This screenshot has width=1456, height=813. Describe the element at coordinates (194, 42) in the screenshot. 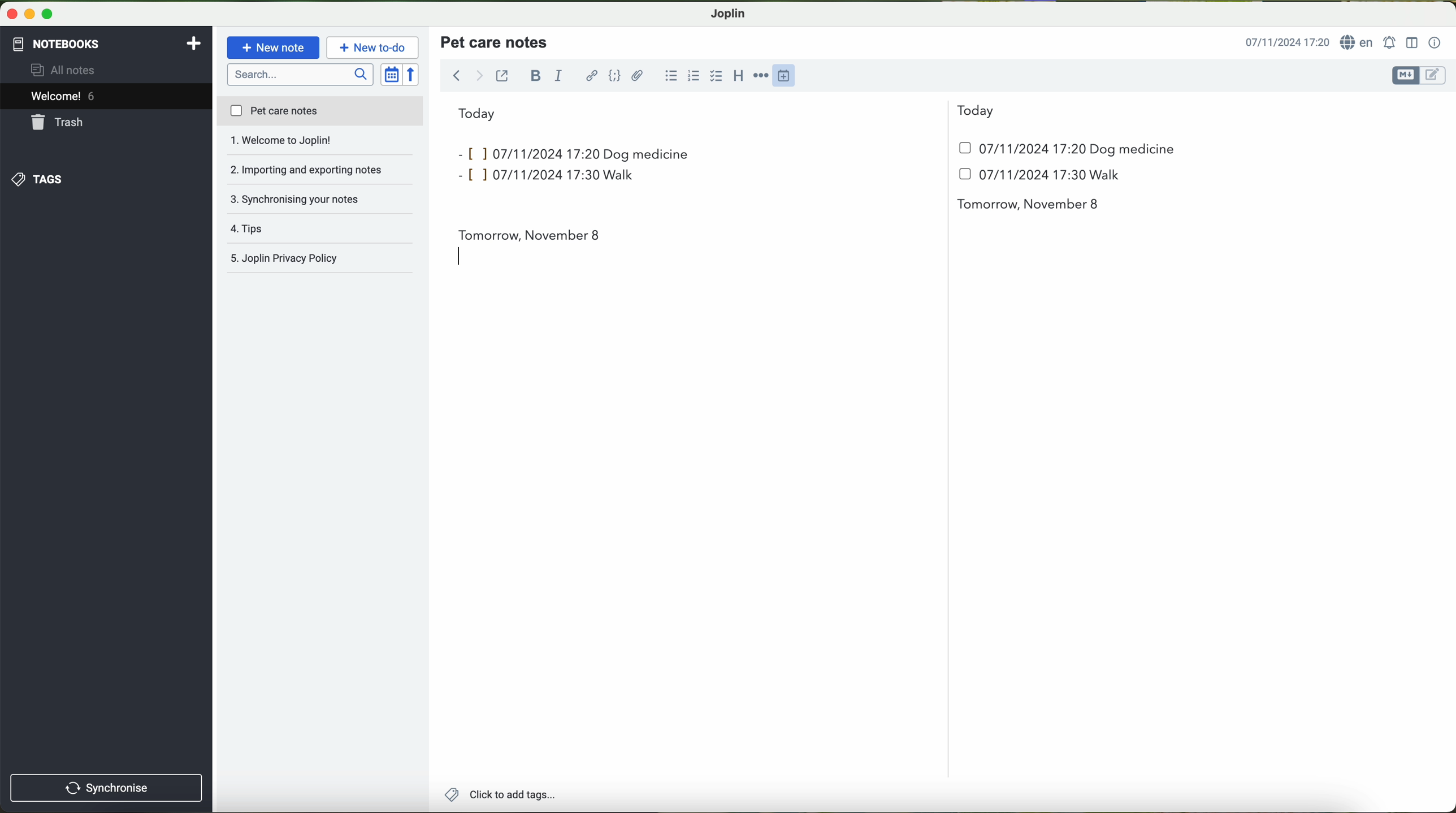

I see `add` at that location.